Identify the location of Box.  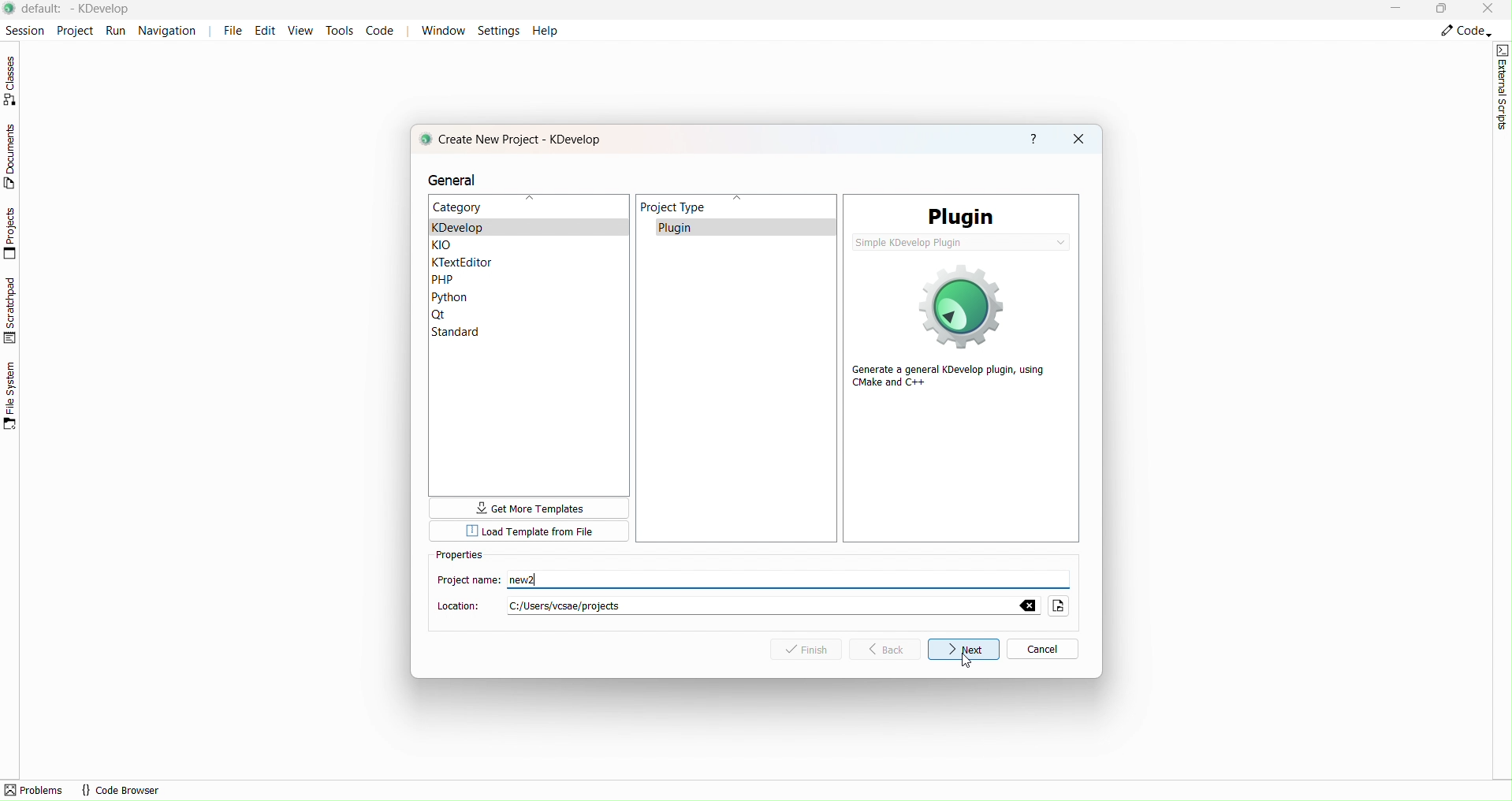
(1443, 10).